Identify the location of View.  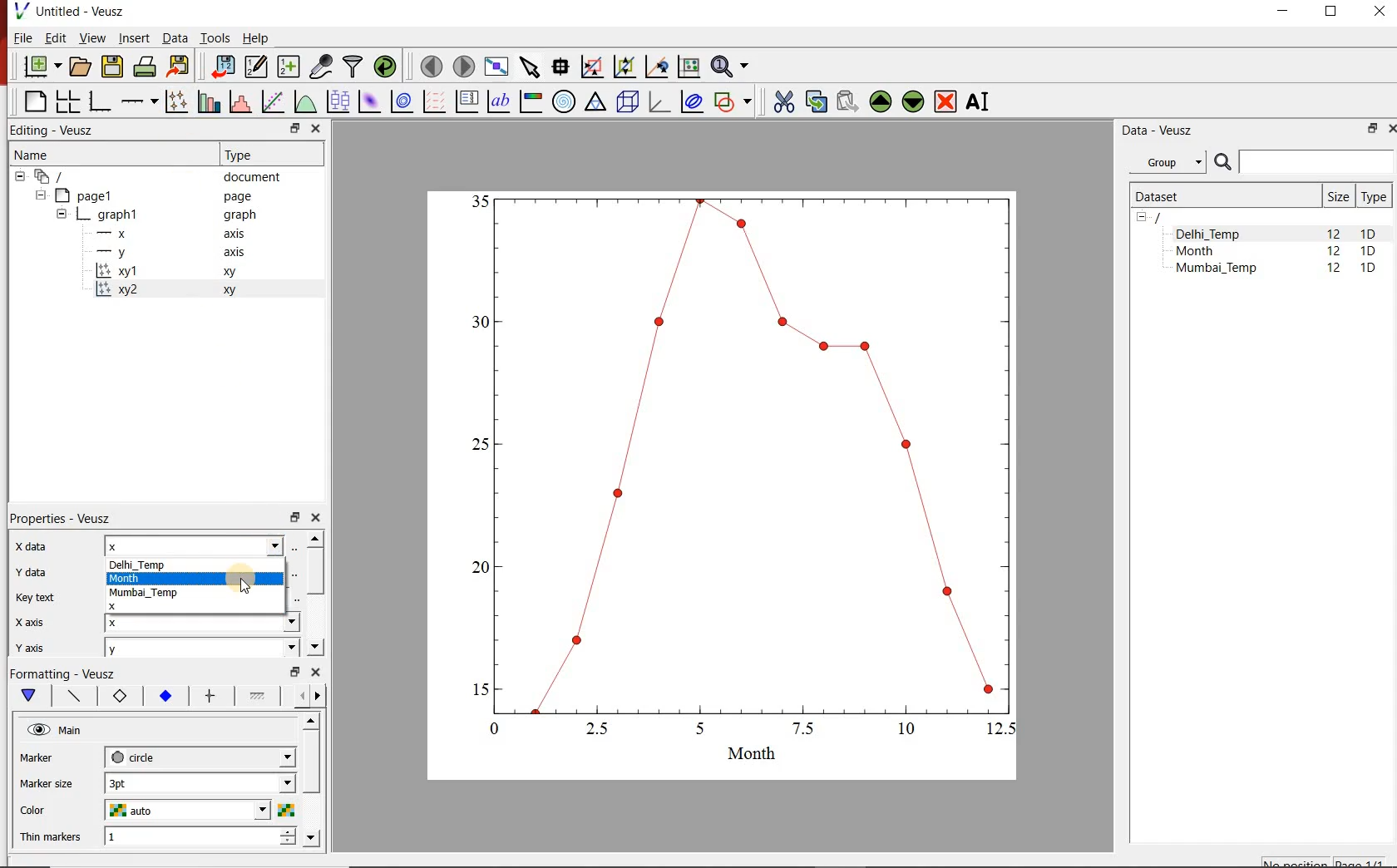
(91, 37).